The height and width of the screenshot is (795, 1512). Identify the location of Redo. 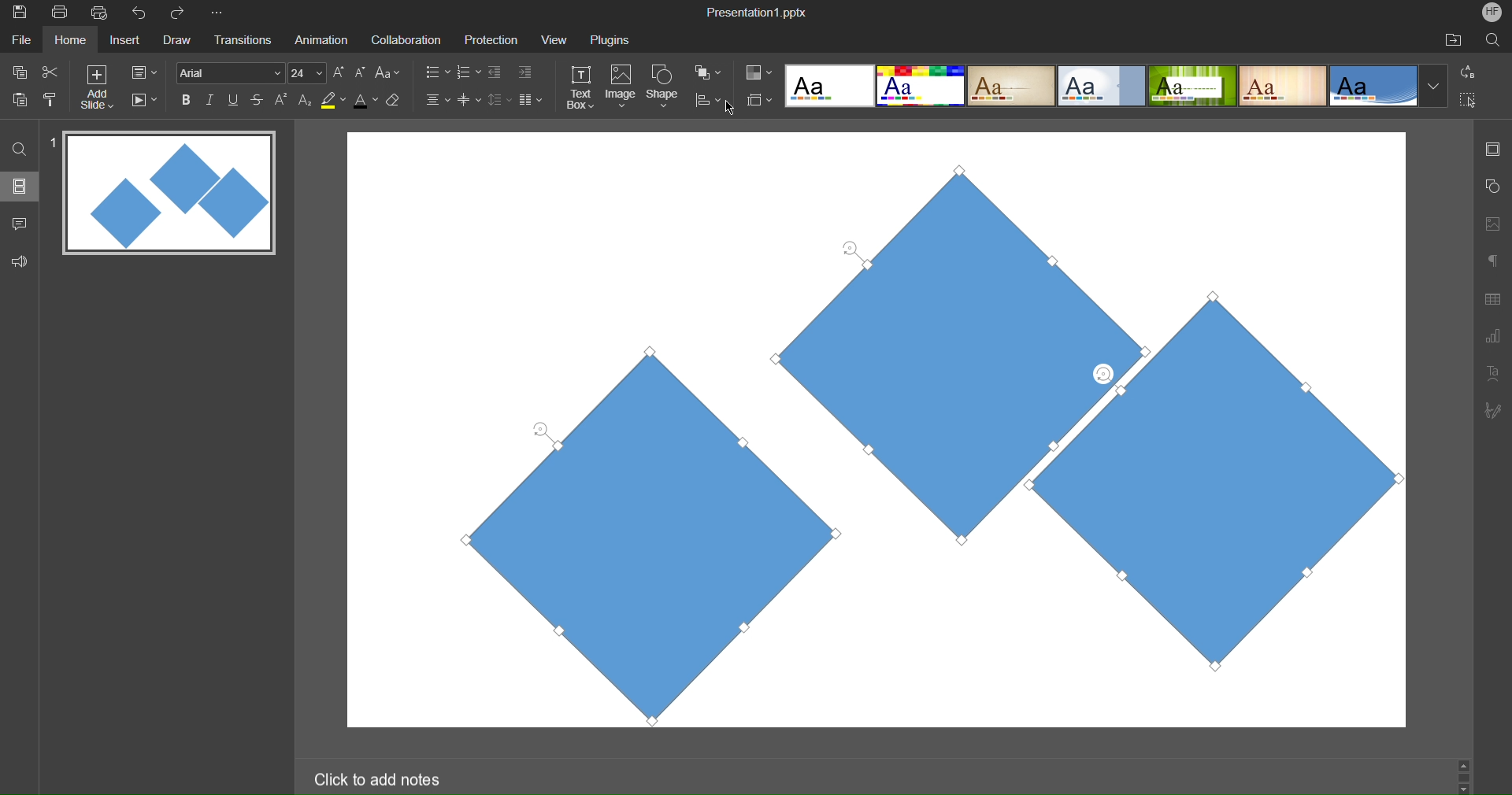
(183, 13).